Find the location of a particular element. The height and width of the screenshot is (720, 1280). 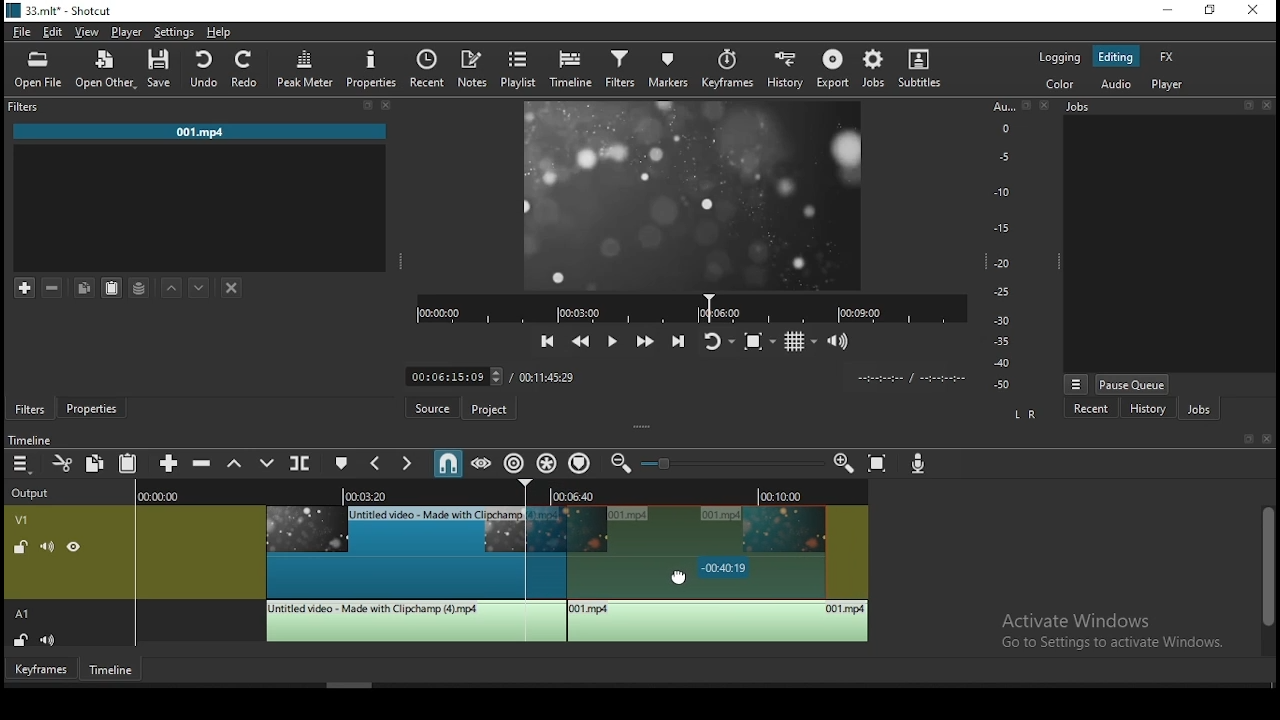

scroll bar is located at coordinates (1266, 580).